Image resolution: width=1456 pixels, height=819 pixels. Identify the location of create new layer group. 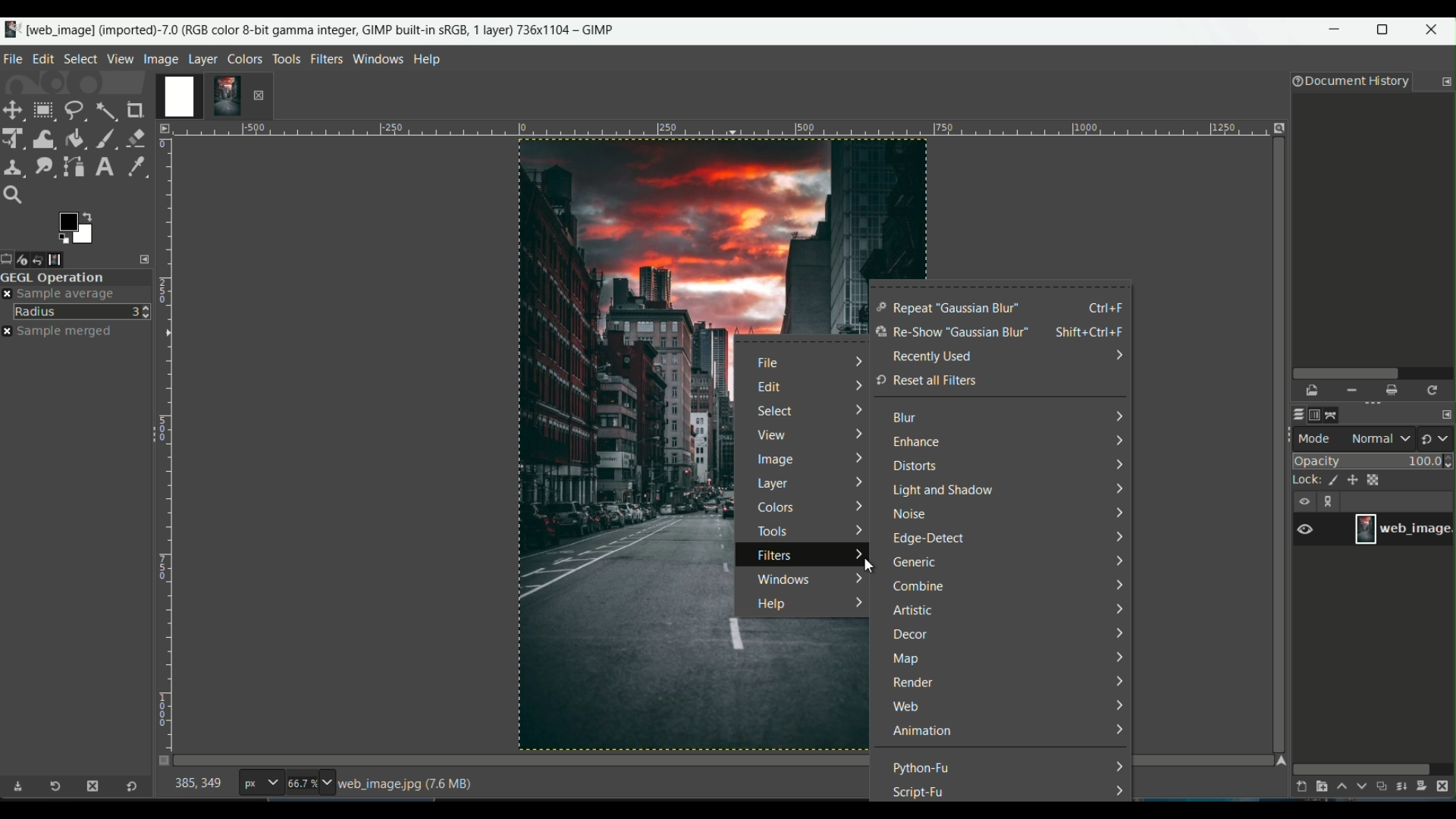
(1320, 786).